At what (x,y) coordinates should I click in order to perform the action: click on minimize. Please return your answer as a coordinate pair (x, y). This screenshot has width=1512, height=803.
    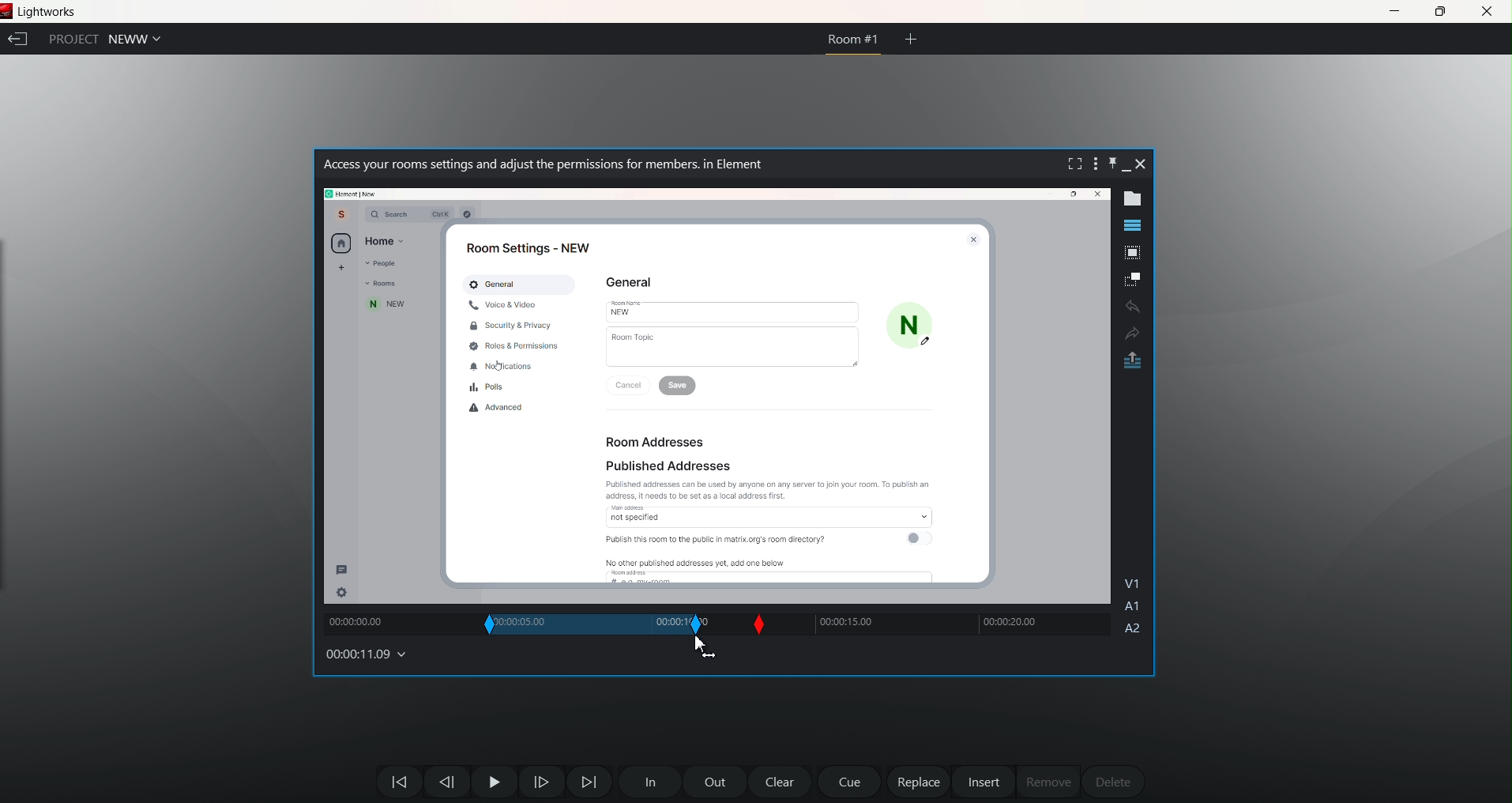
    Looking at the image, I should click on (1131, 167).